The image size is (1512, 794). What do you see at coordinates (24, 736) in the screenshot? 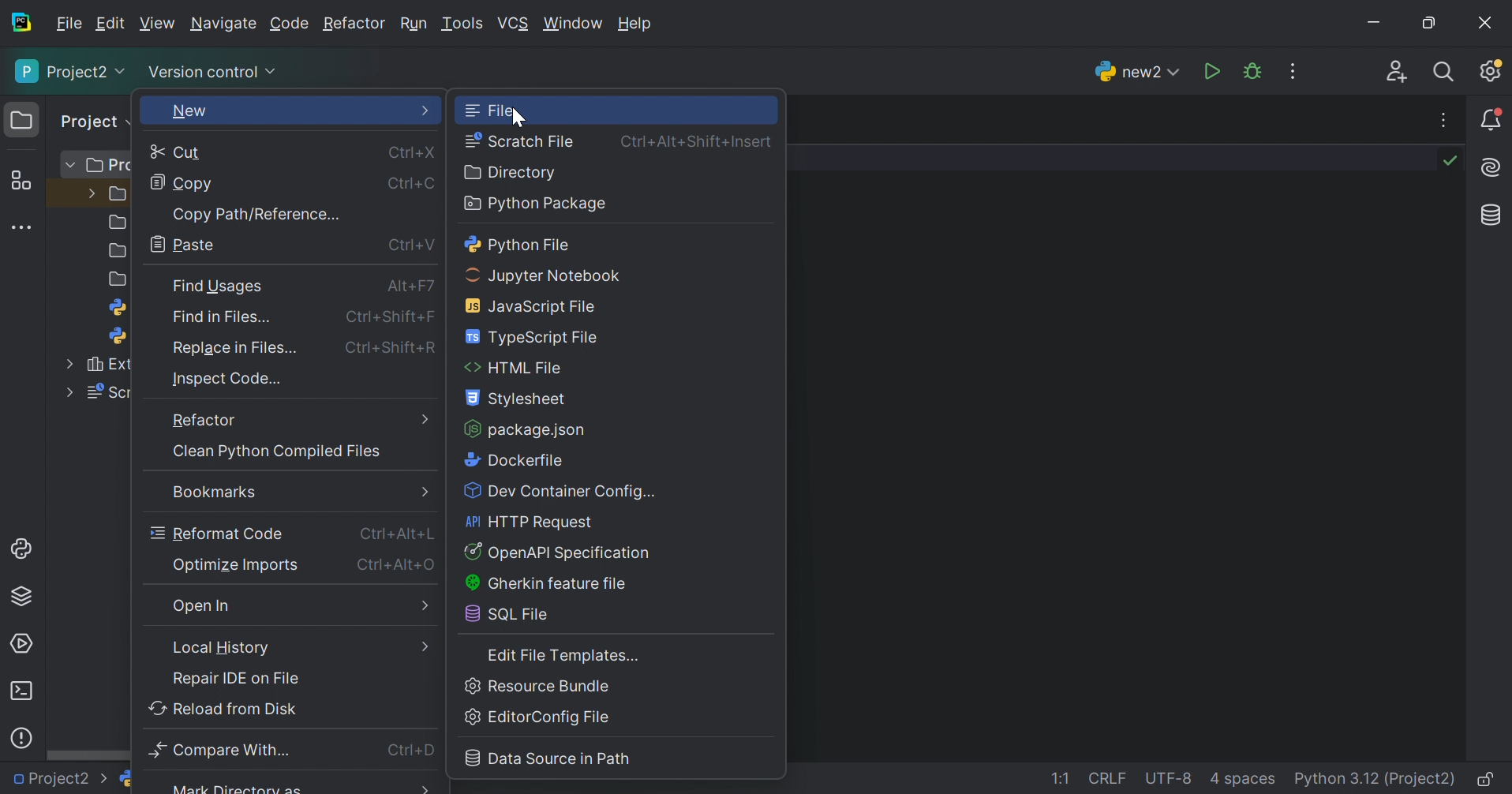
I see `Problems` at bounding box center [24, 736].